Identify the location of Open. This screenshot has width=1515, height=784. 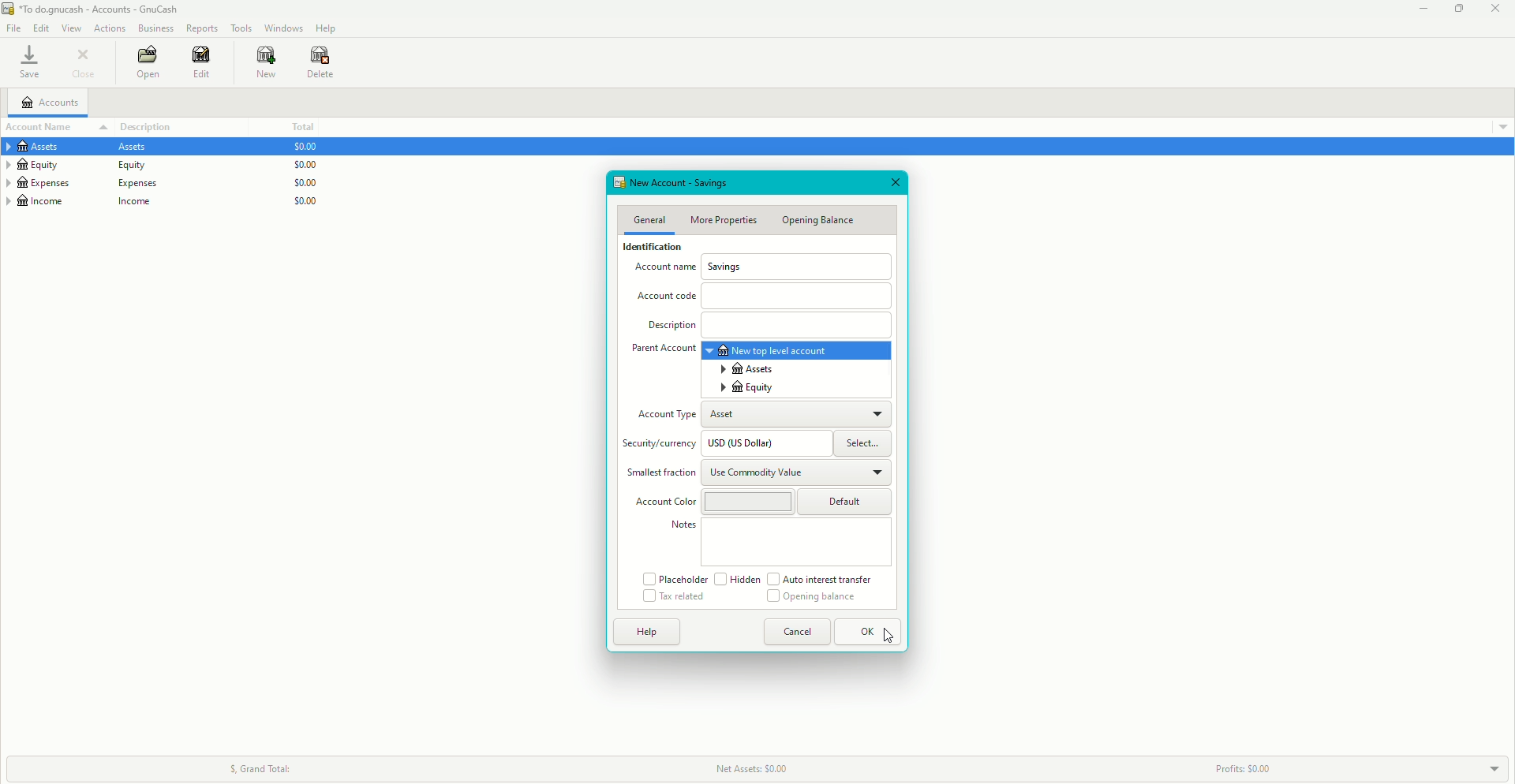
(146, 64).